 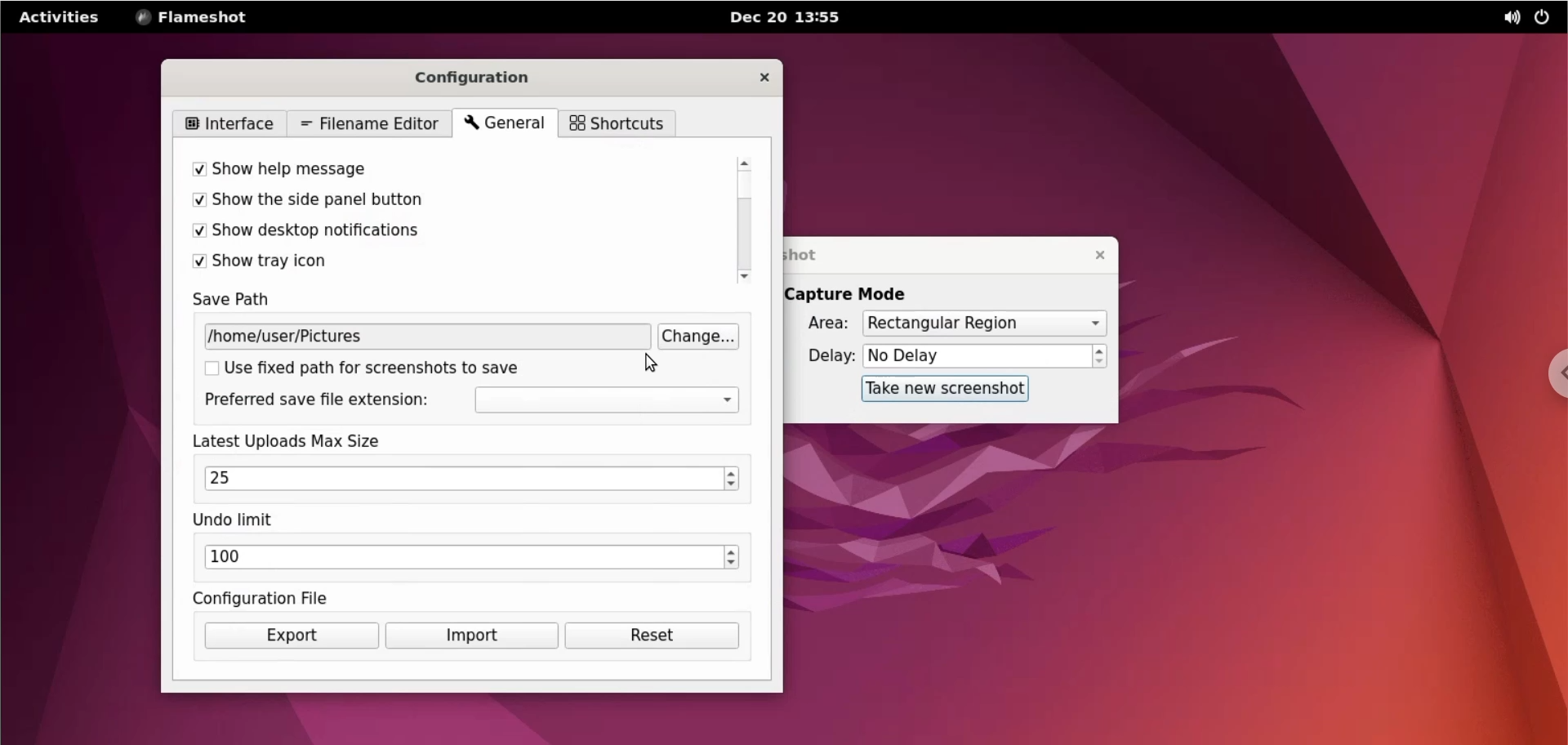 What do you see at coordinates (287, 636) in the screenshot?
I see `export ` at bounding box center [287, 636].